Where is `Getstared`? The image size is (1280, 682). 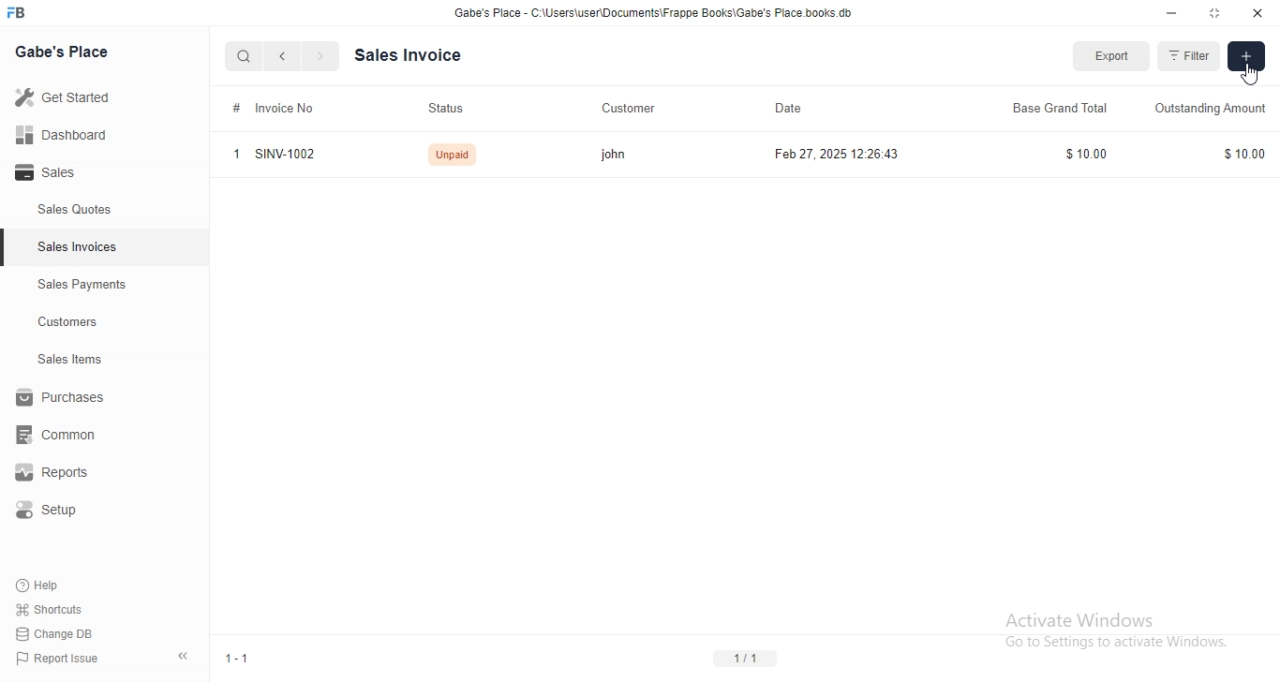
Getstared is located at coordinates (68, 99).